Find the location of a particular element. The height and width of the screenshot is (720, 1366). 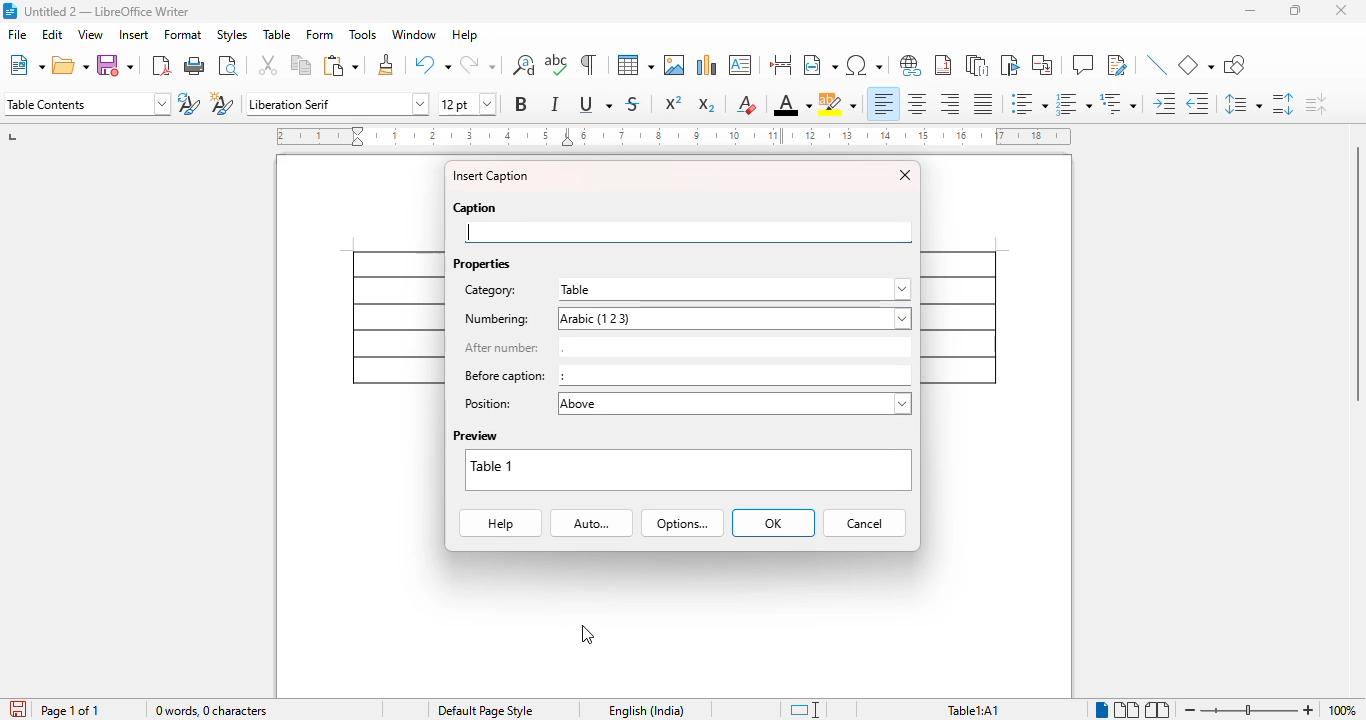

cancel is located at coordinates (864, 523).